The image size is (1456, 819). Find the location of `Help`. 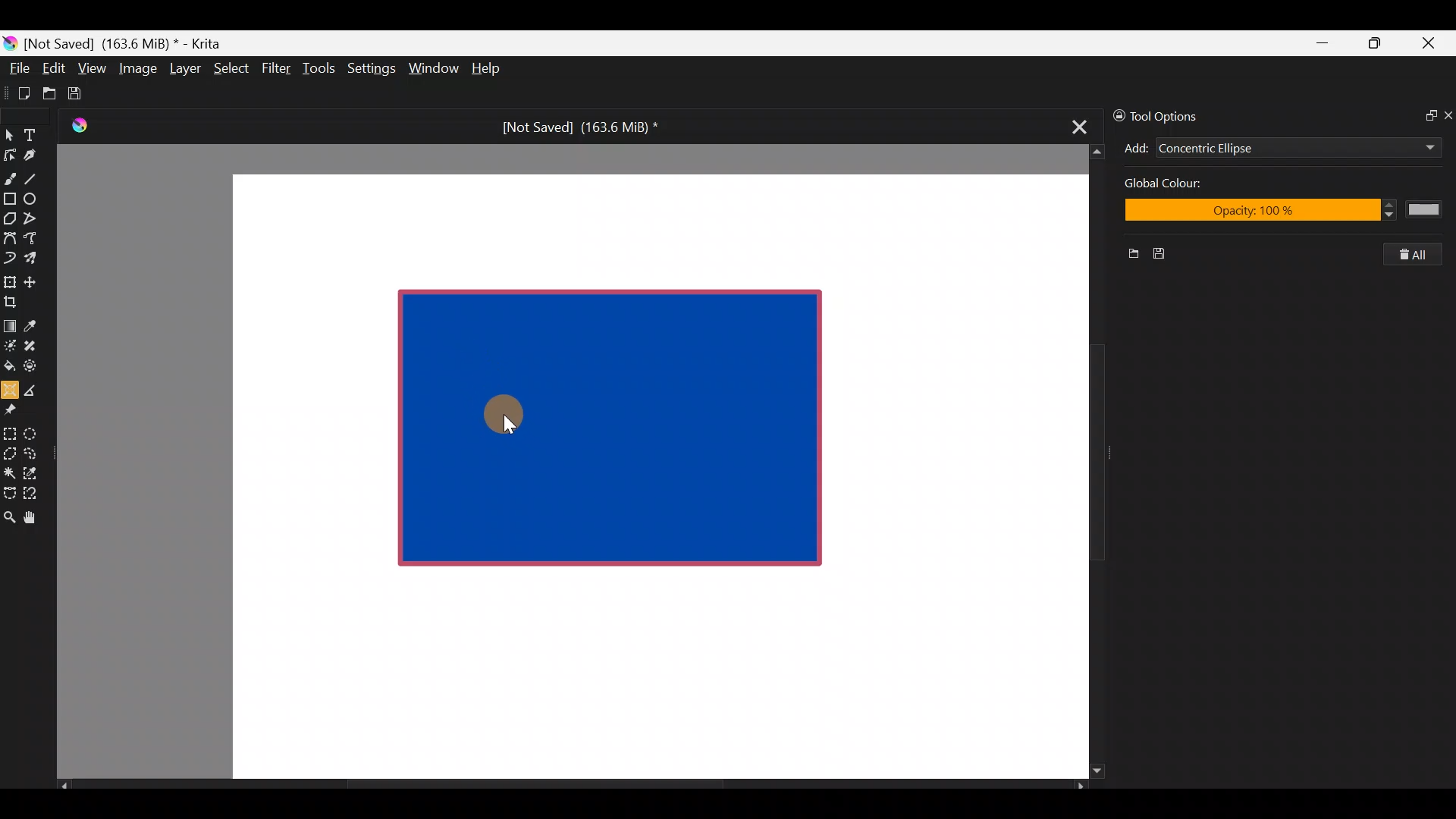

Help is located at coordinates (488, 70).